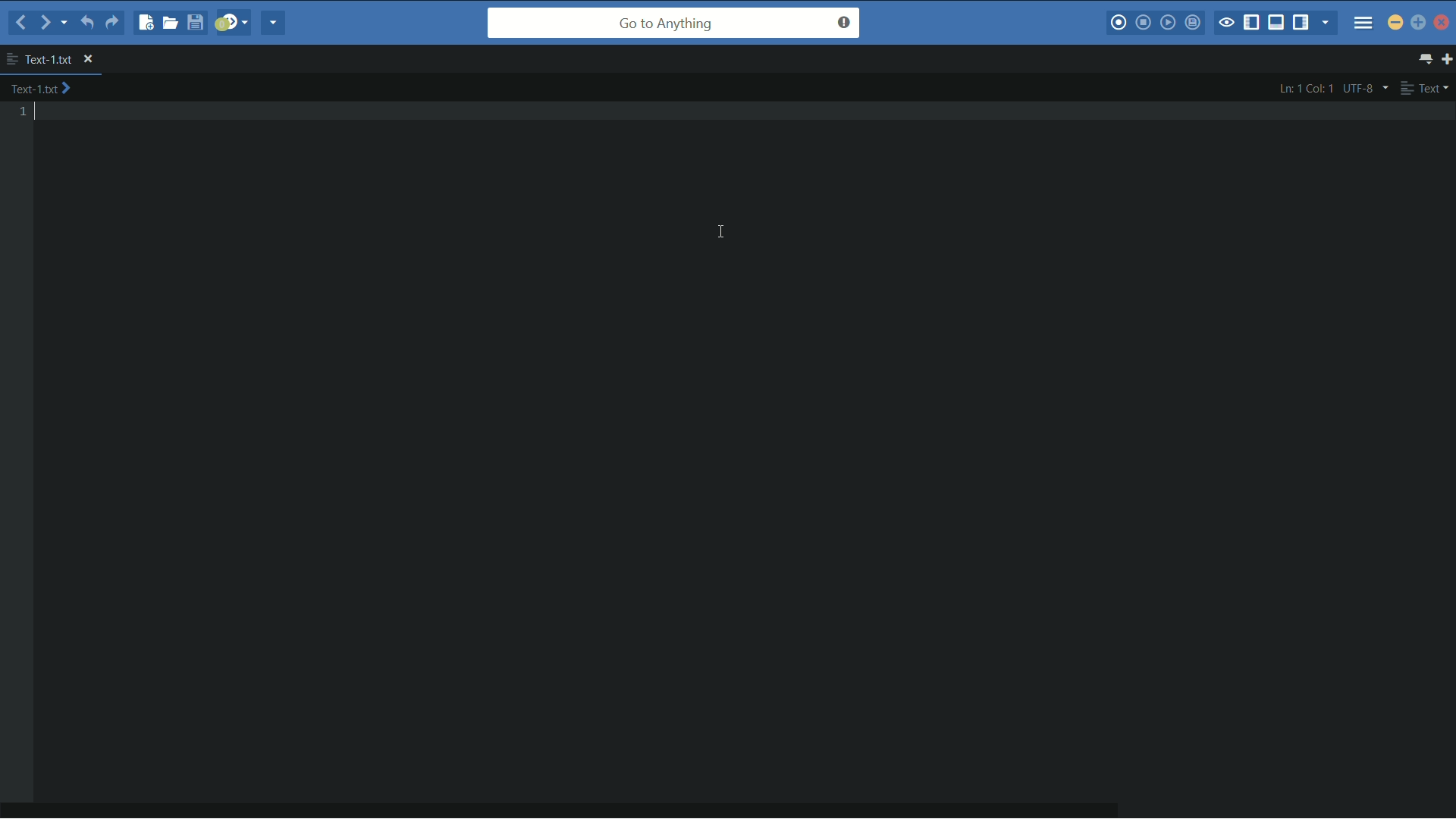  Describe the element at coordinates (39, 59) in the screenshot. I see `text-1.txt` at that location.